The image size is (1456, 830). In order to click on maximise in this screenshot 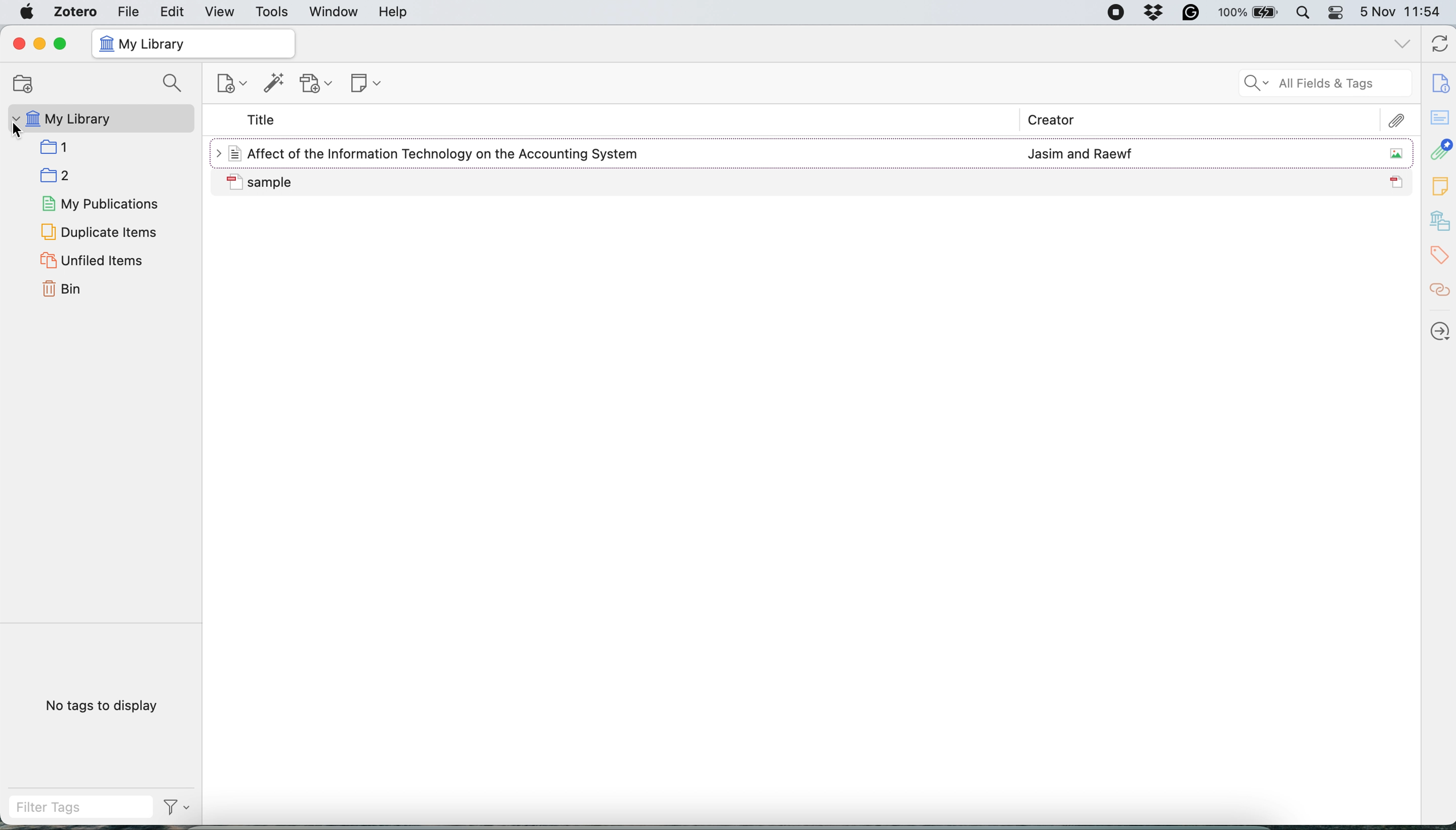, I will do `click(59, 45)`.